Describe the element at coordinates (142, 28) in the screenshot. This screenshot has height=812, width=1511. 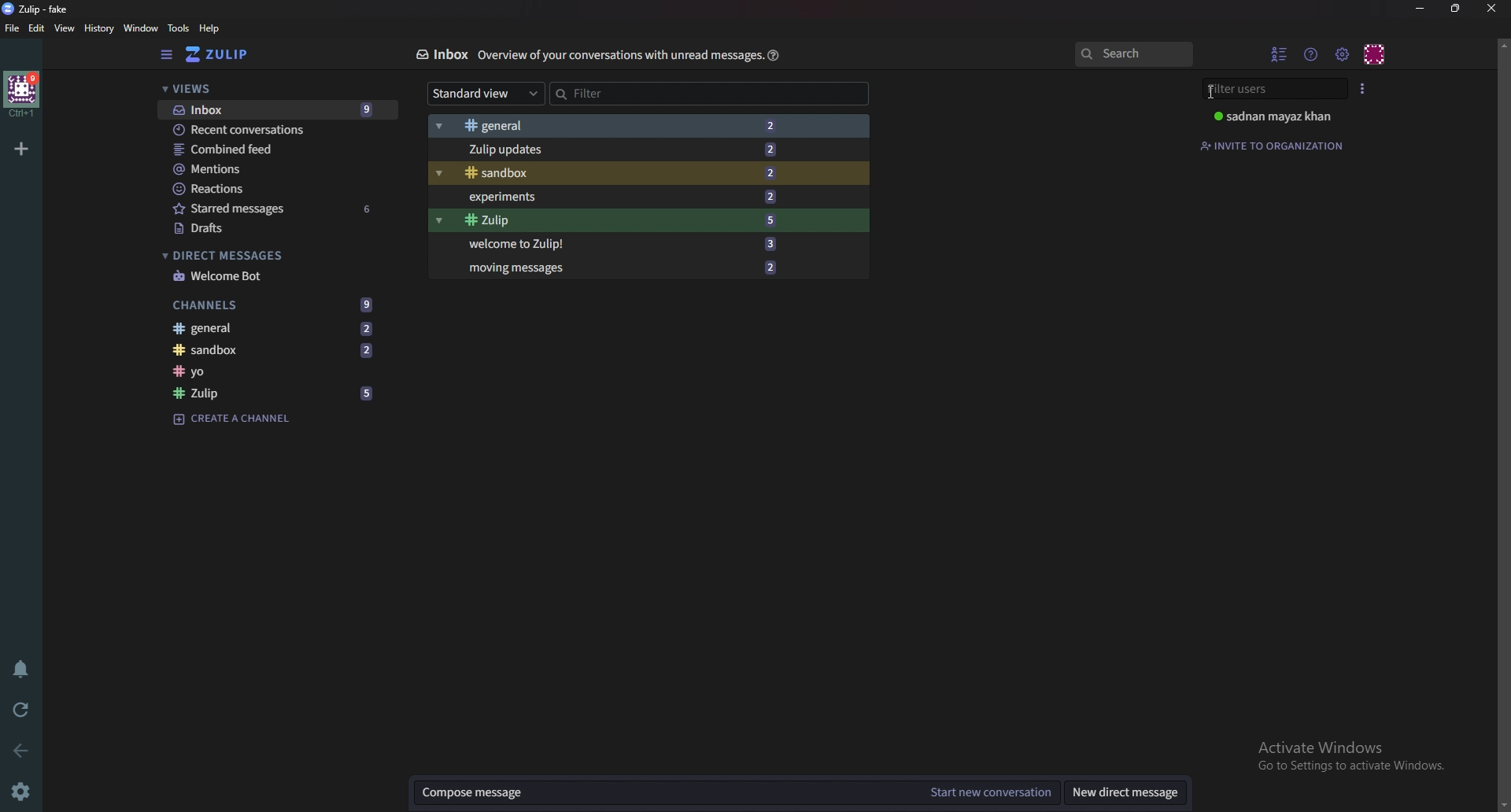
I see `Window` at that location.